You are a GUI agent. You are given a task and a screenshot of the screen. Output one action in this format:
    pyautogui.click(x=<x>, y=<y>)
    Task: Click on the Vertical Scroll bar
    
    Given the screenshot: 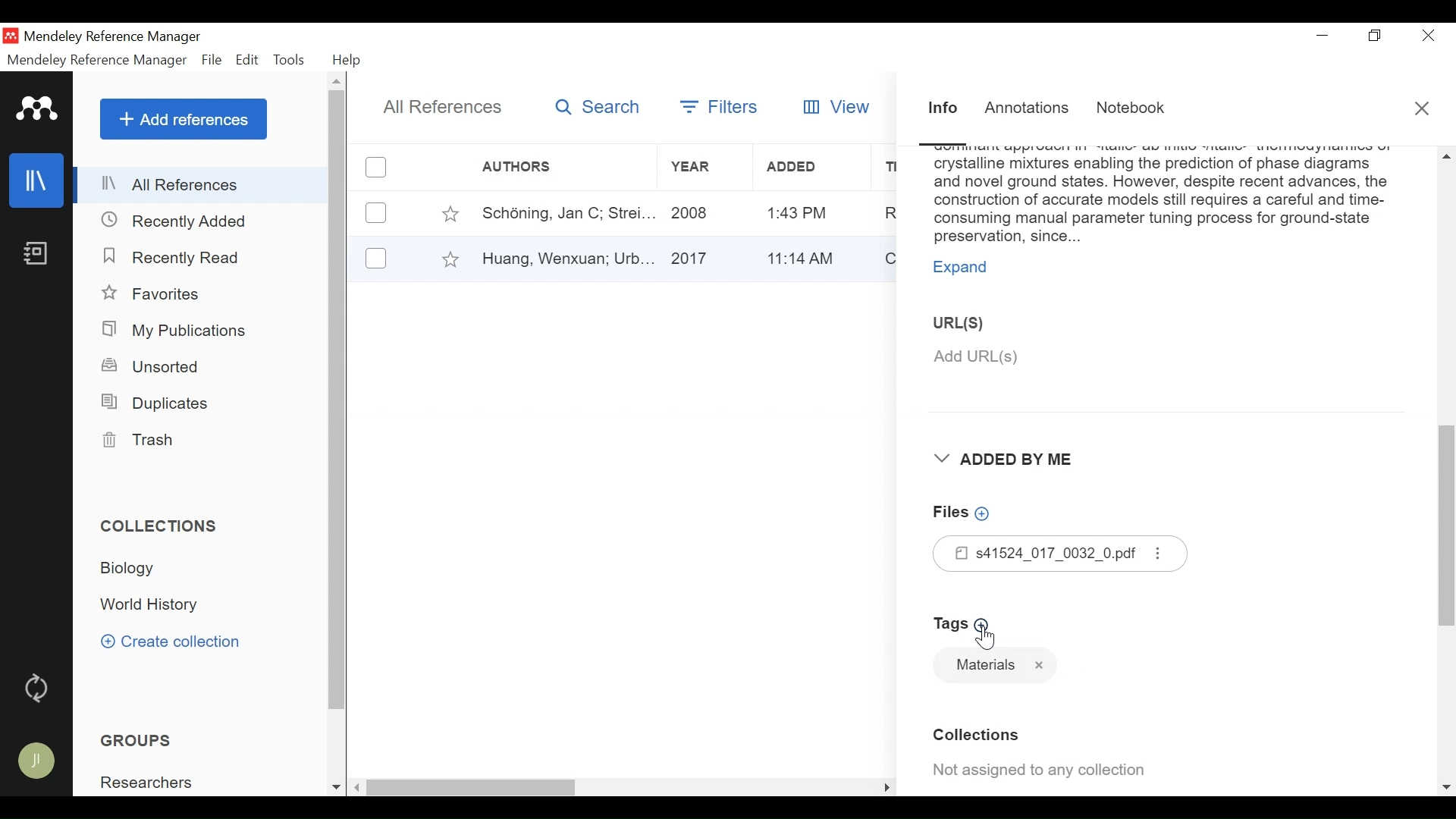 What is the action you would take?
    pyautogui.click(x=1447, y=529)
    